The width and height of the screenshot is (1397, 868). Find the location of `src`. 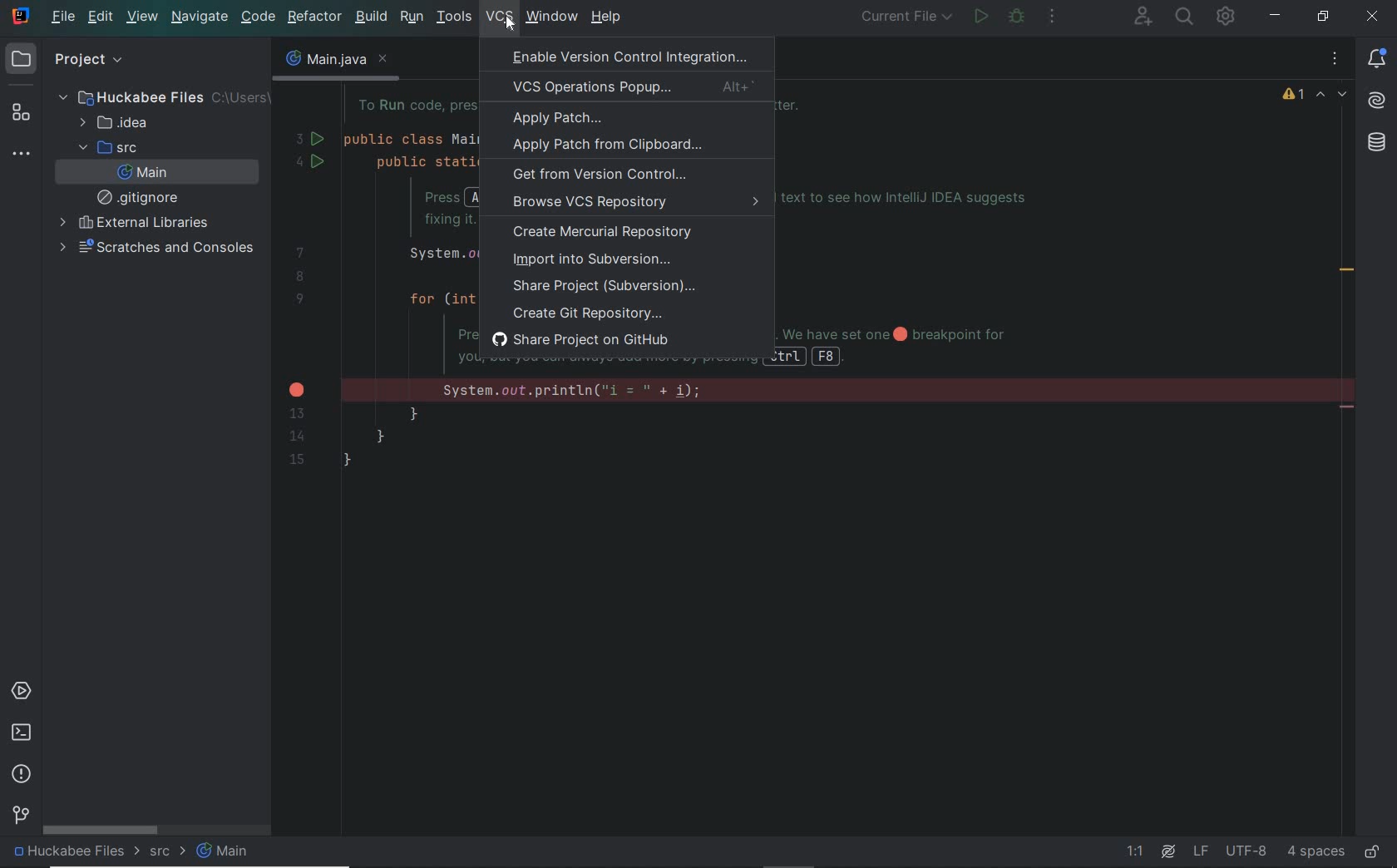

src is located at coordinates (106, 147).